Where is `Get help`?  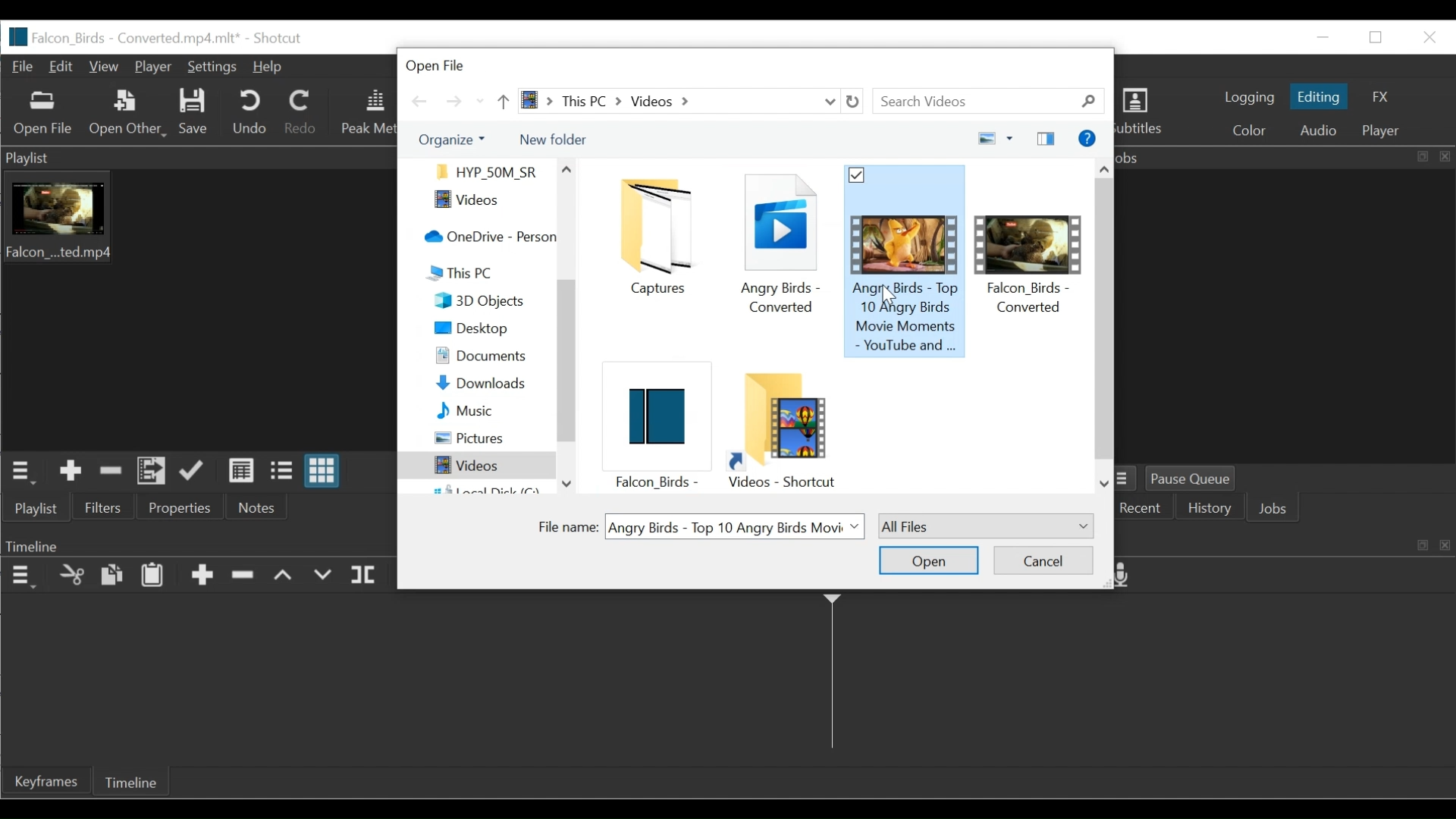 Get help is located at coordinates (1086, 138).